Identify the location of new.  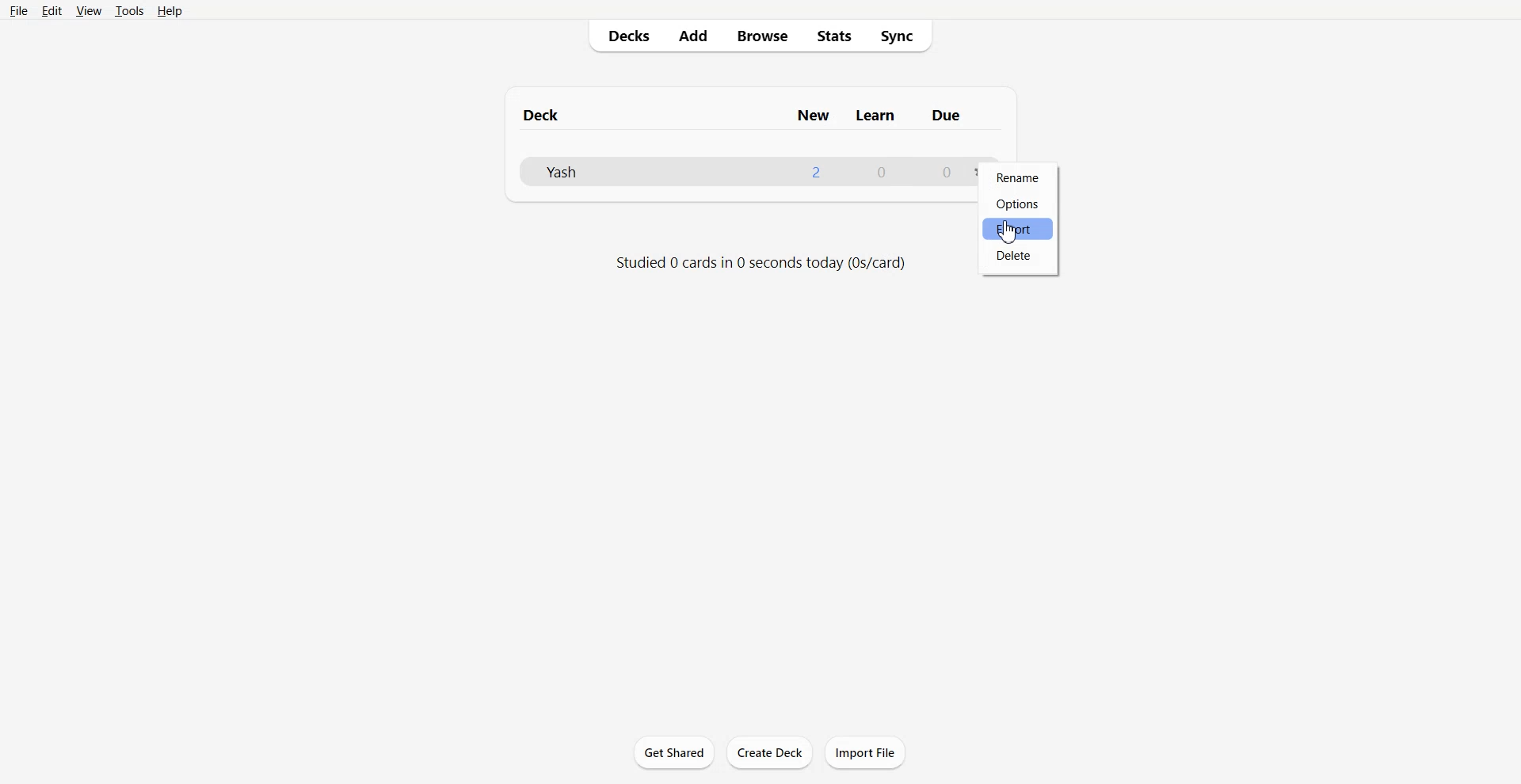
(813, 116).